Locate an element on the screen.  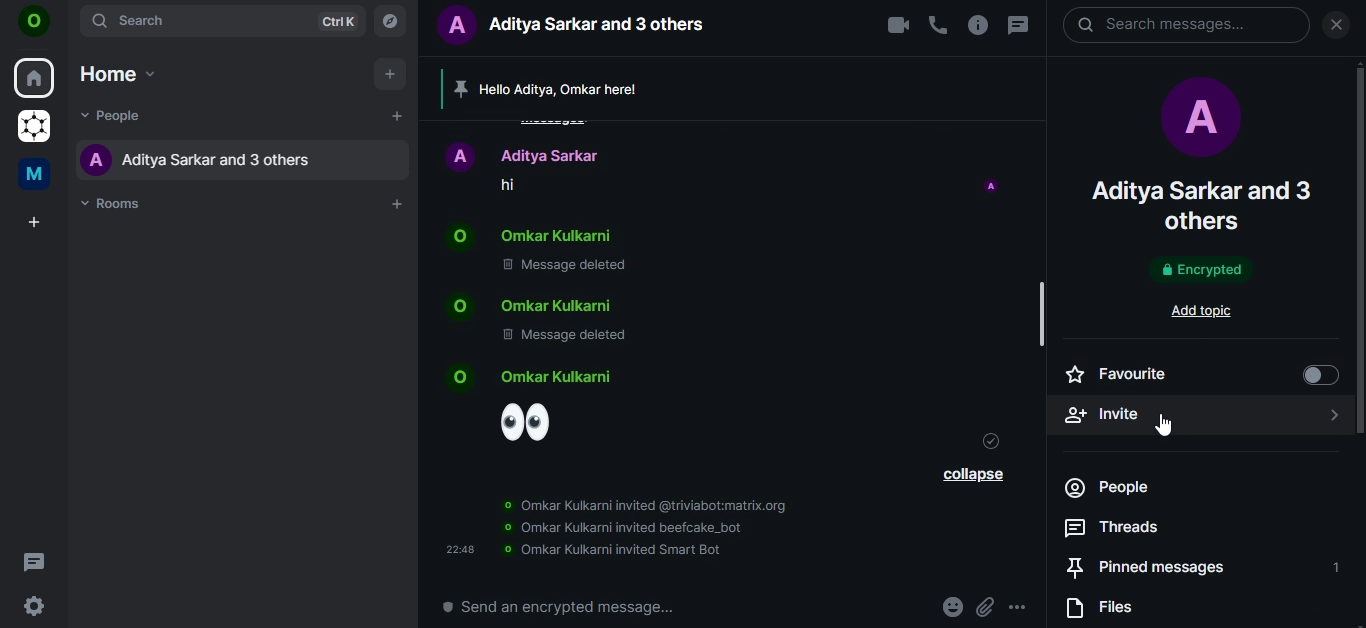
threads is located at coordinates (1113, 529).